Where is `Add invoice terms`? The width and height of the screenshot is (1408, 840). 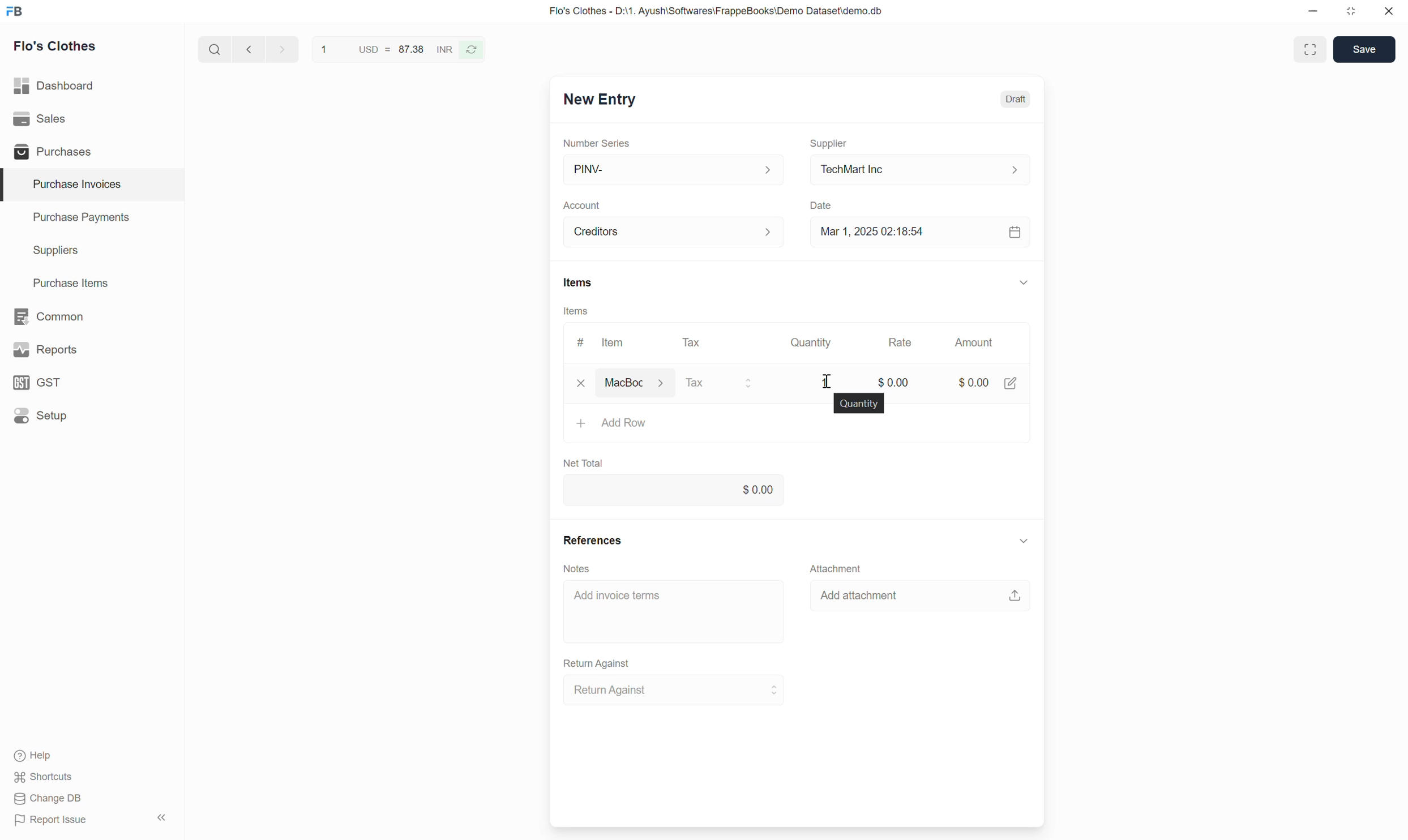 Add invoice terms is located at coordinates (675, 611).